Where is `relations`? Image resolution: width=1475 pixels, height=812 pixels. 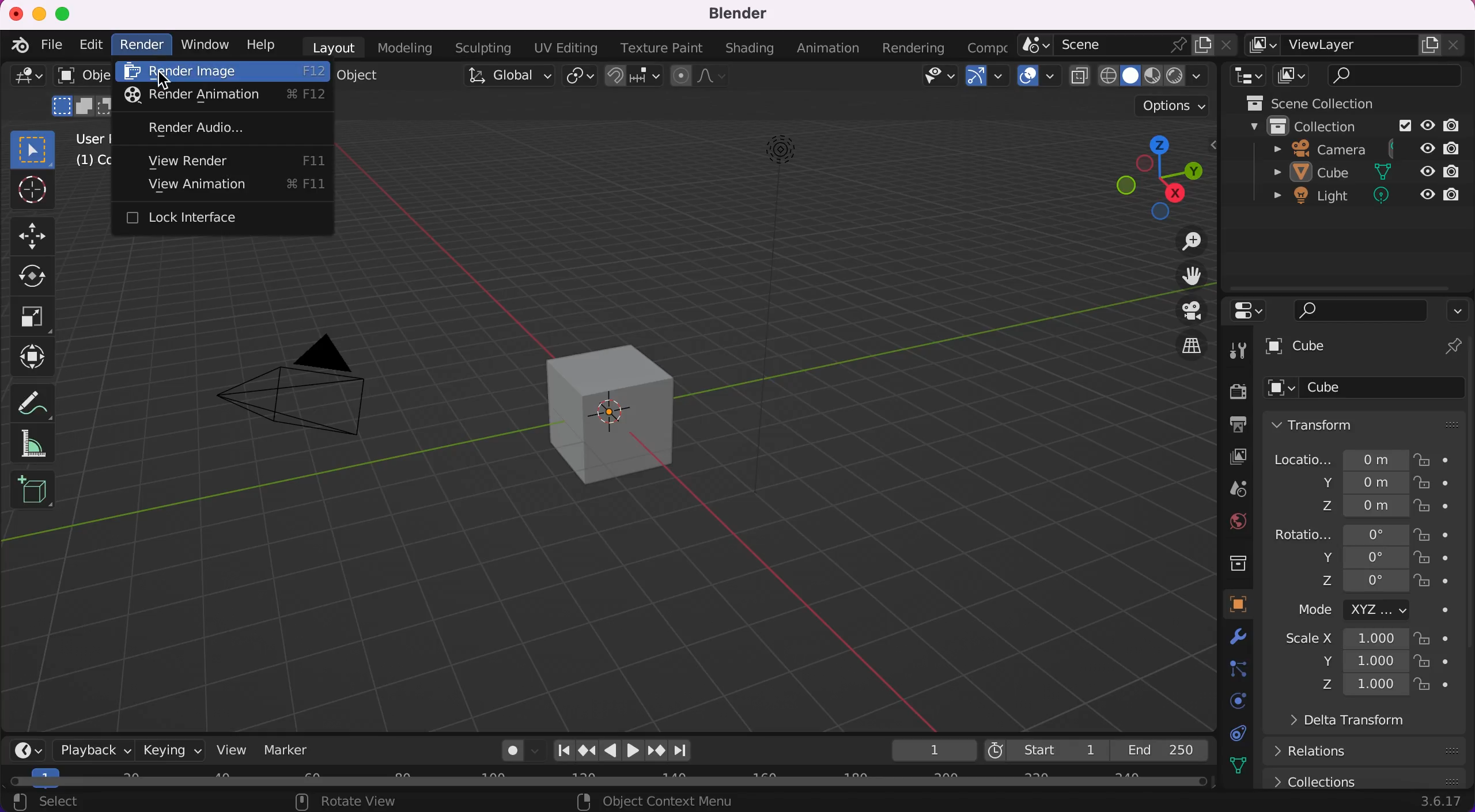 relations is located at coordinates (1366, 752).